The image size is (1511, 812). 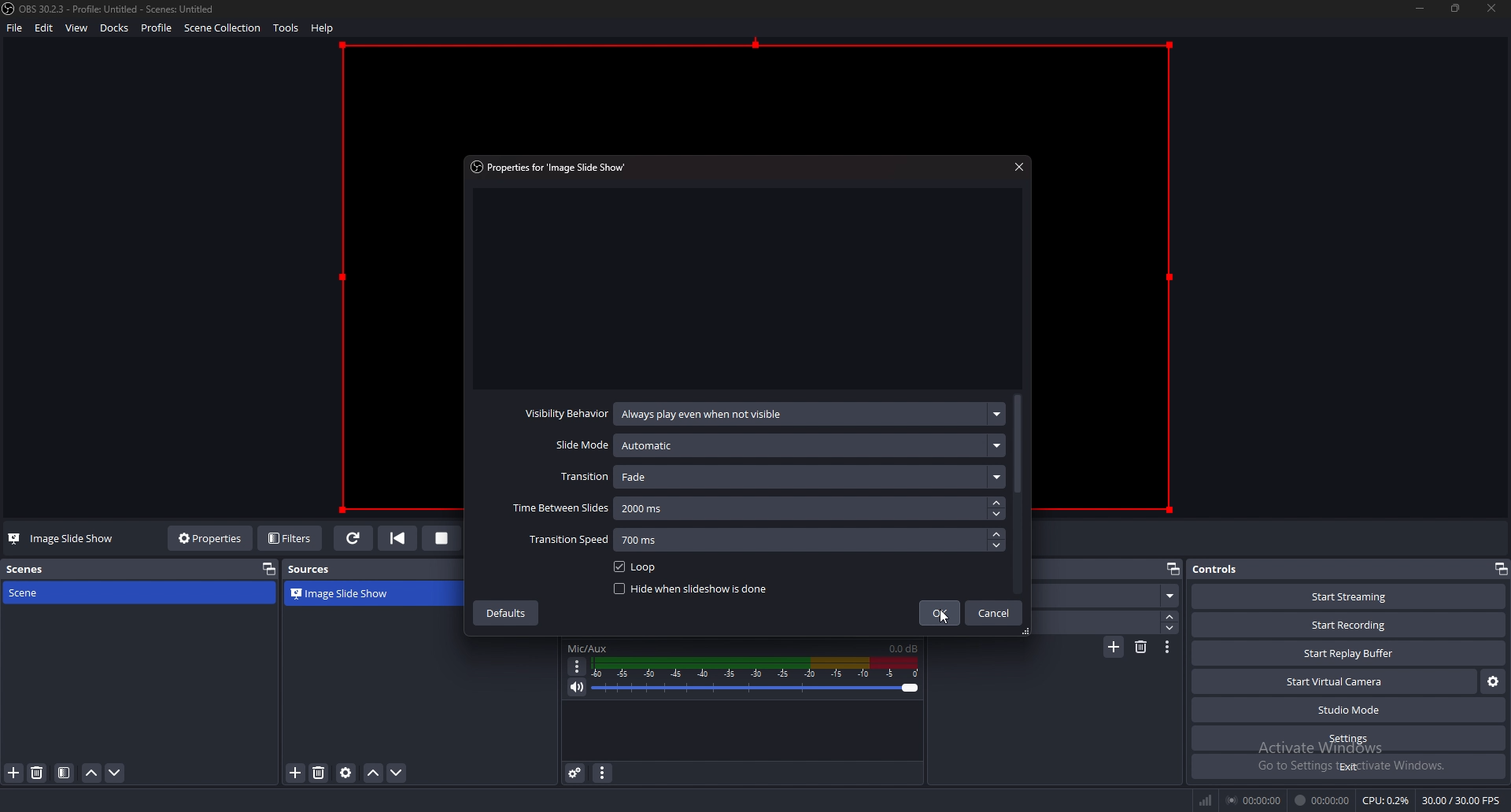 What do you see at coordinates (1018, 446) in the screenshot?
I see `scroll bar` at bounding box center [1018, 446].